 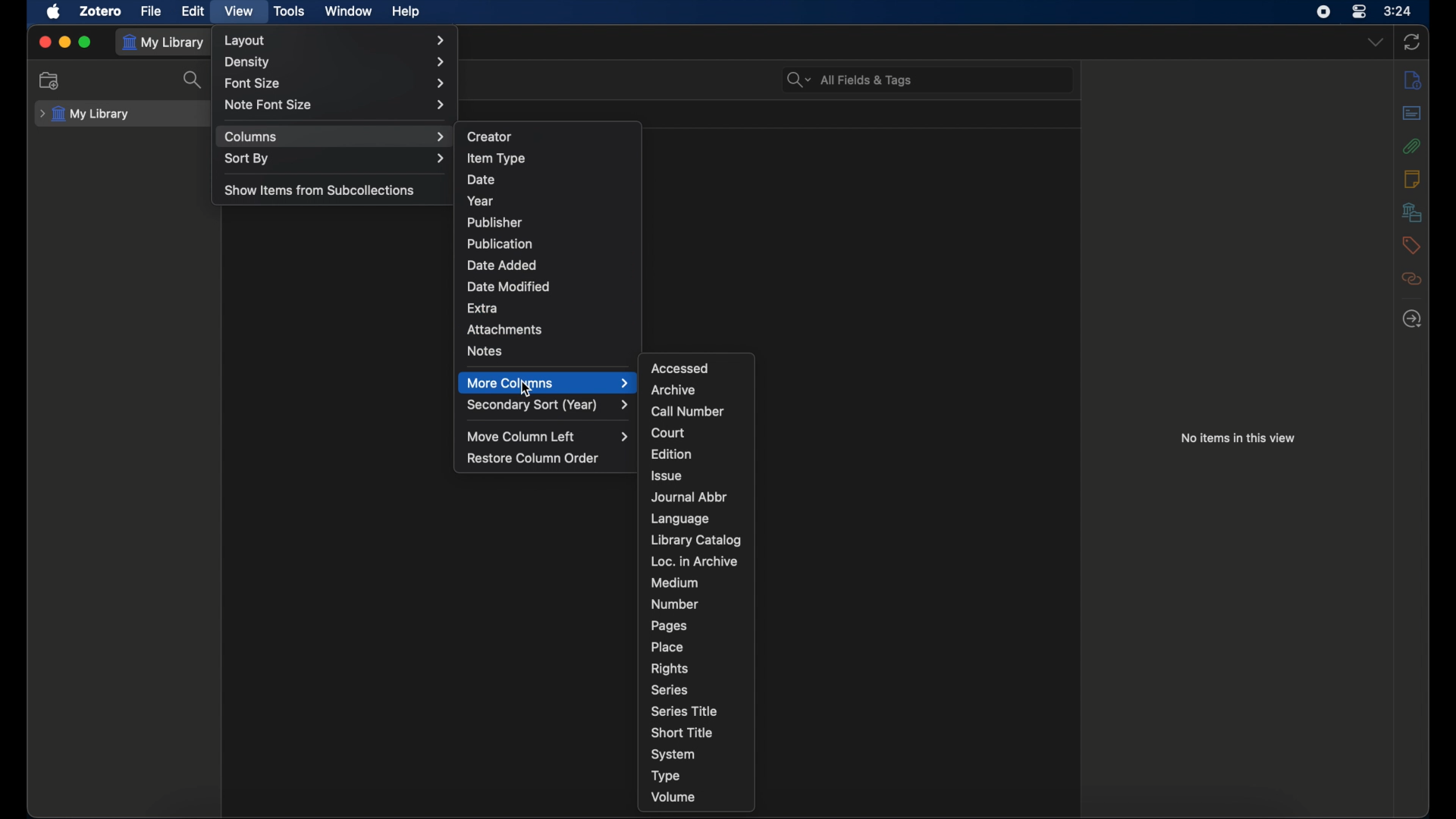 What do you see at coordinates (1376, 42) in the screenshot?
I see `dropdown` at bounding box center [1376, 42].